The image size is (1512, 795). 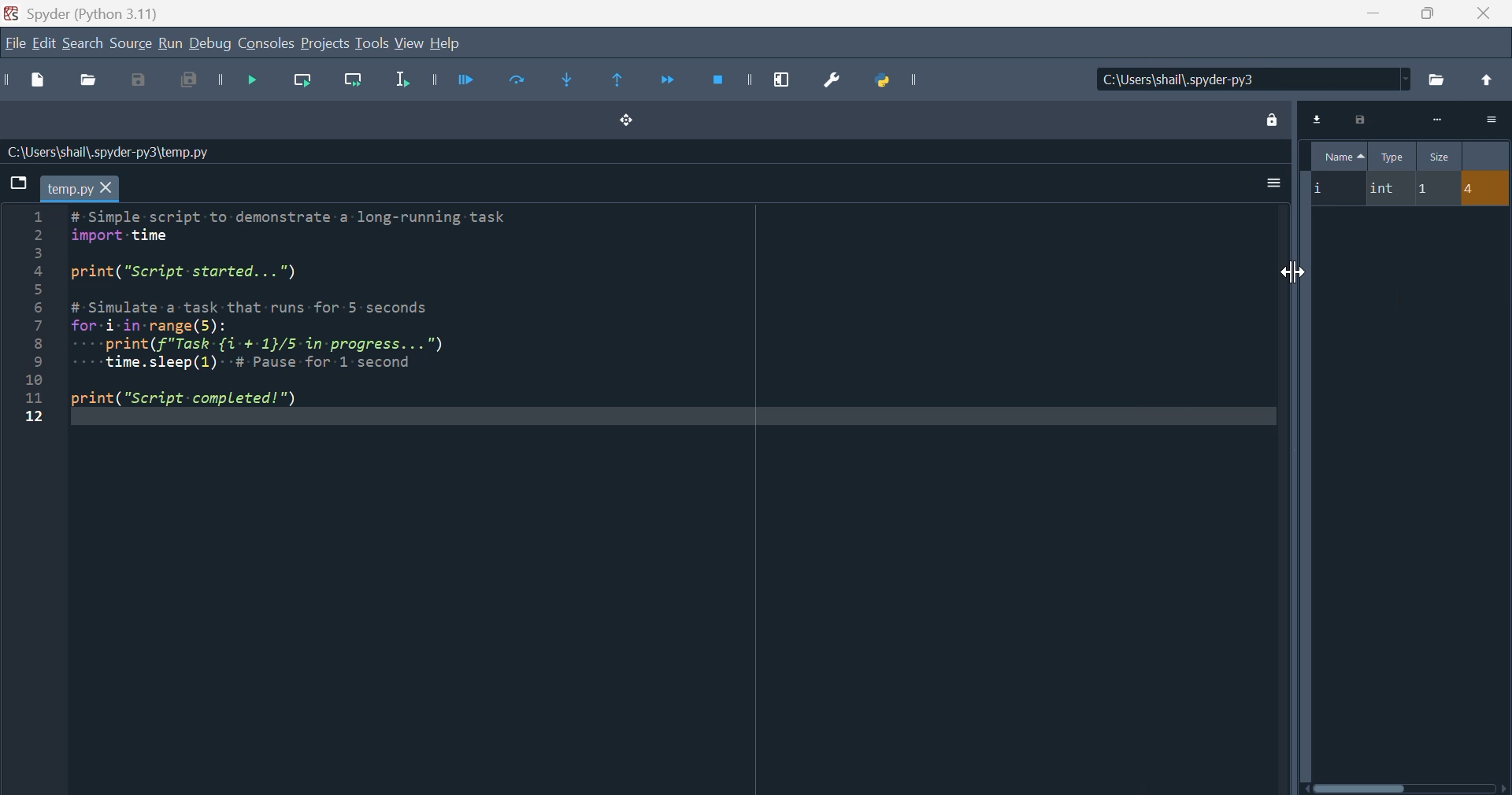 I want to click on line number, so click(x=31, y=317).